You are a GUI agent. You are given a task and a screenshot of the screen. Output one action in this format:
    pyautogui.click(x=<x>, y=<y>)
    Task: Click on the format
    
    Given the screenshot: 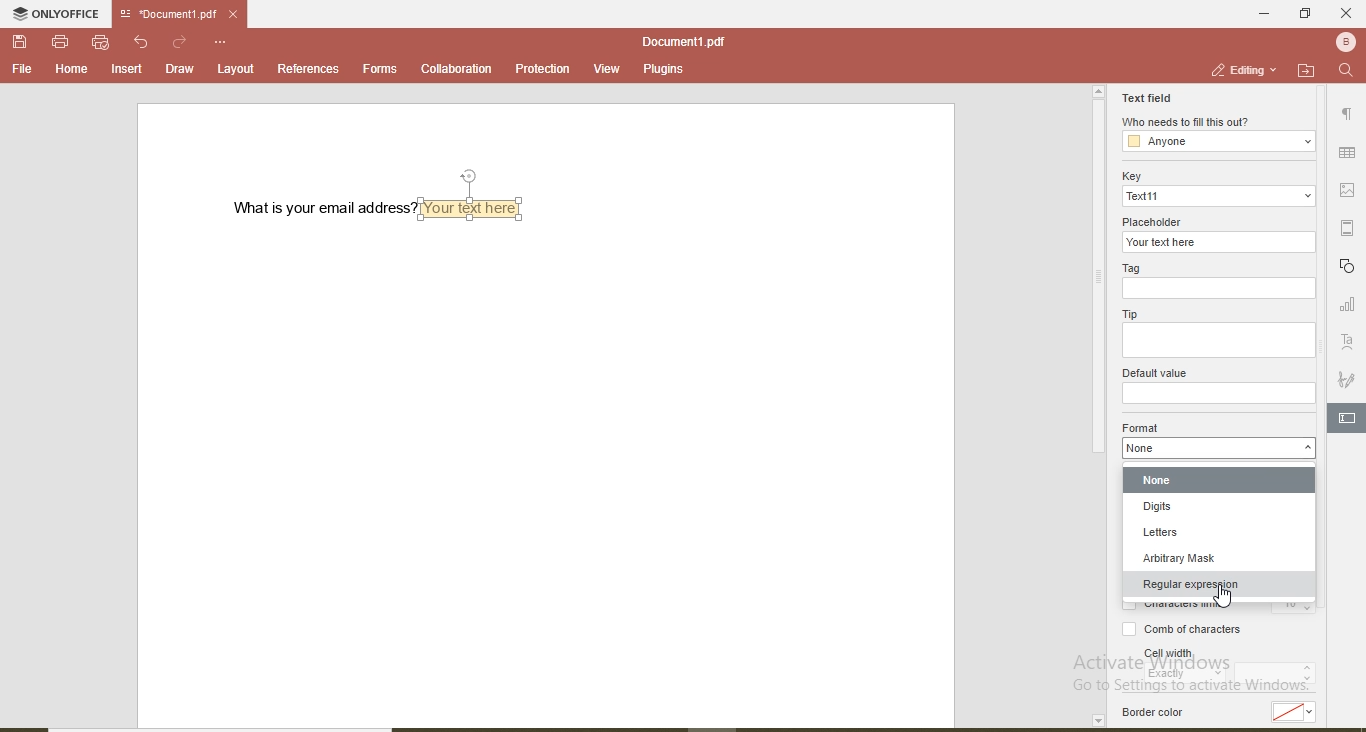 What is the action you would take?
    pyautogui.click(x=1143, y=426)
    